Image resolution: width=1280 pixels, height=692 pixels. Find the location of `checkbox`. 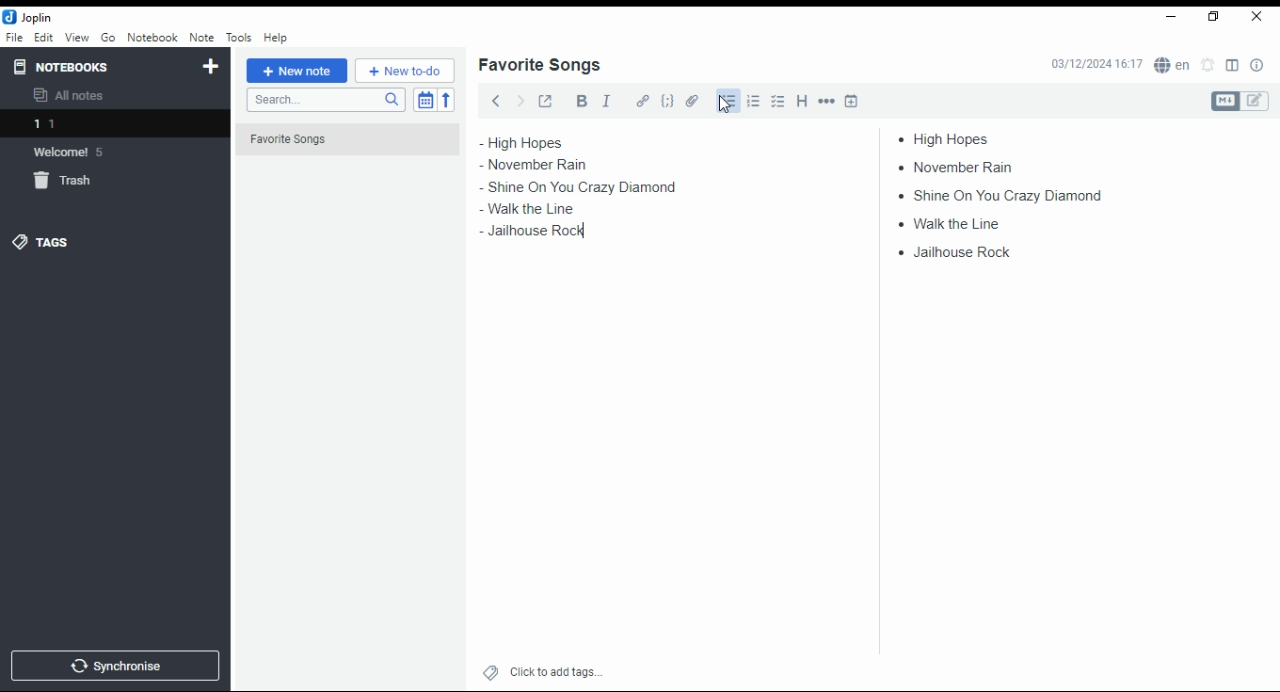

checkbox is located at coordinates (776, 103).